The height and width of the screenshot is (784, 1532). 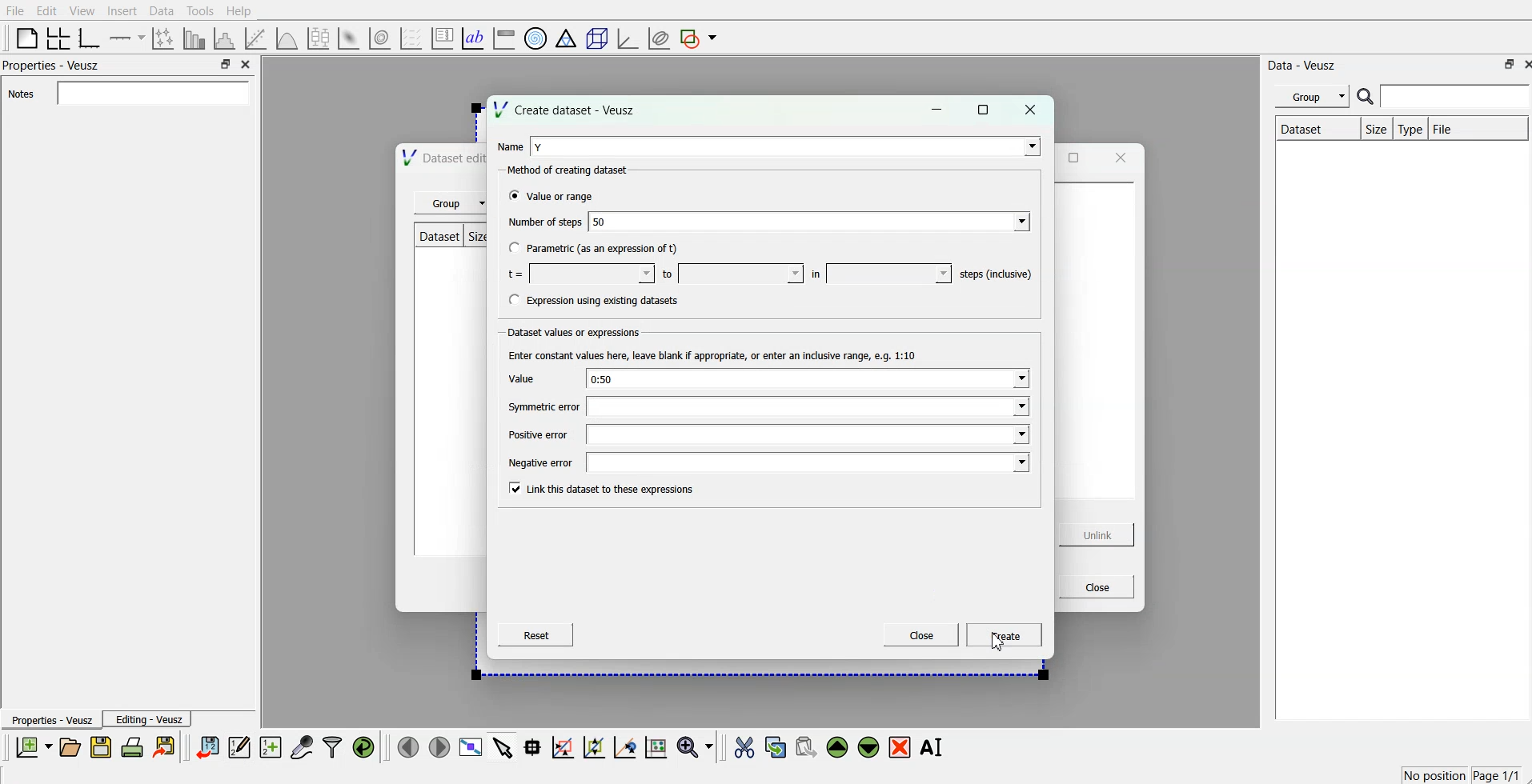 What do you see at coordinates (473, 37) in the screenshot?
I see `text label` at bounding box center [473, 37].